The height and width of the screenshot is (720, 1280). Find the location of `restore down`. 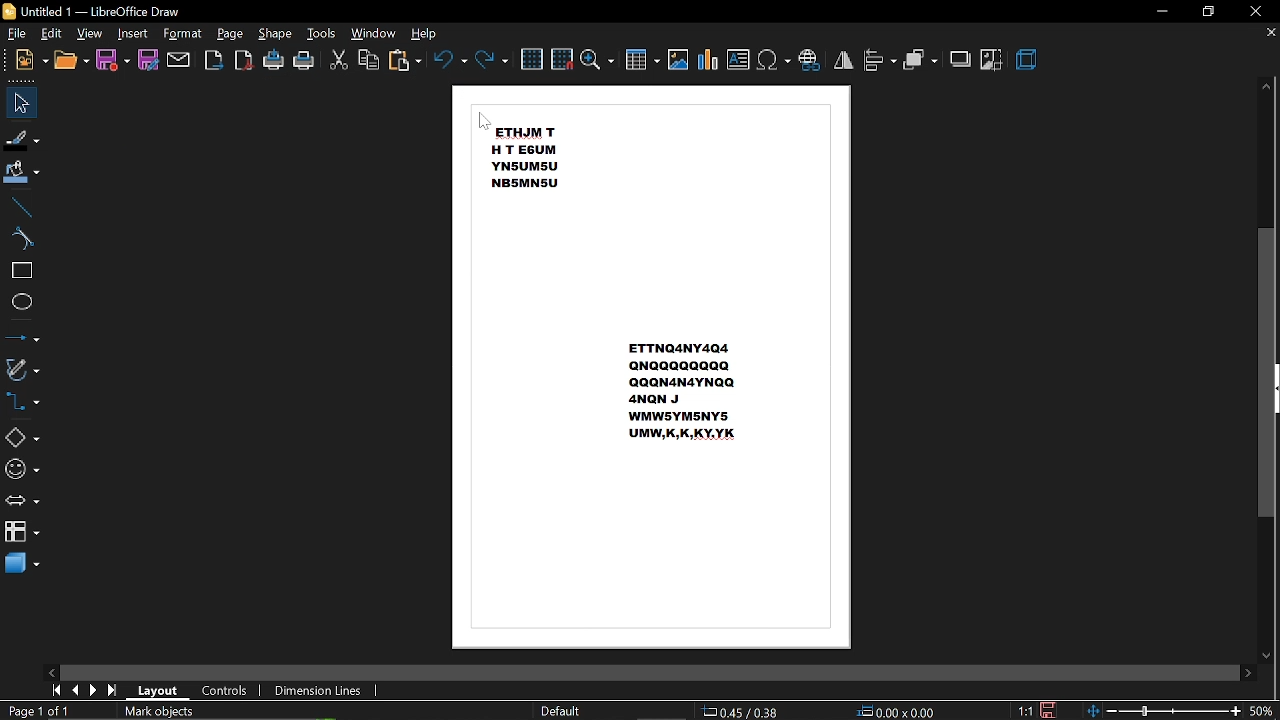

restore down is located at coordinates (1209, 13).